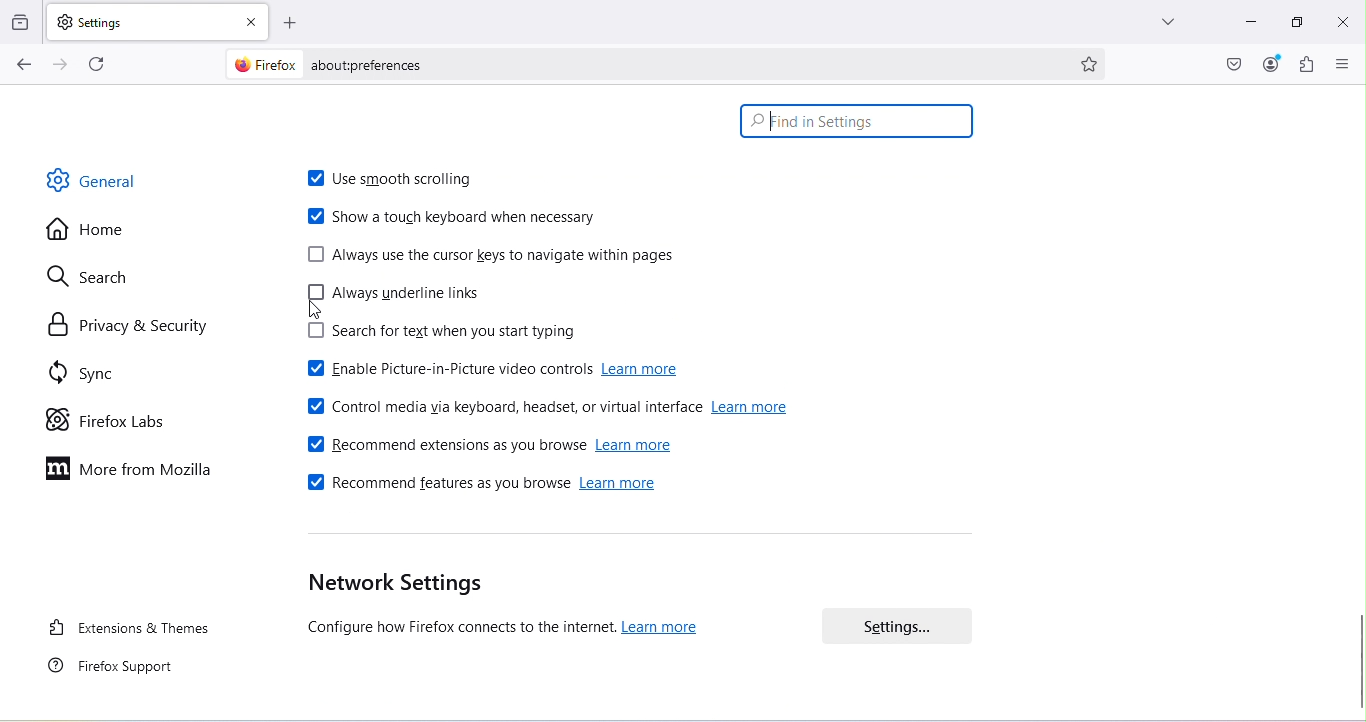 This screenshot has width=1366, height=722. What do you see at coordinates (392, 174) in the screenshot?
I see `Use smooth scrolling` at bounding box center [392, 174].